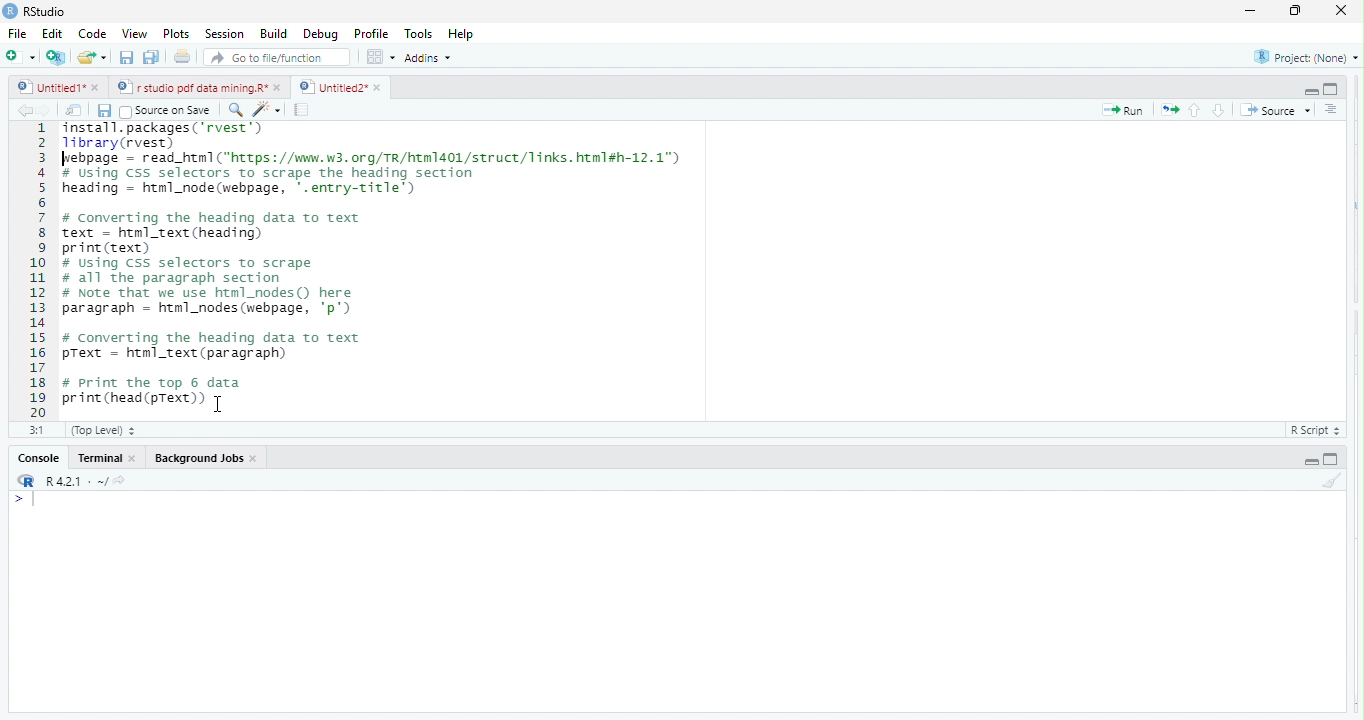  I want to click on  Untitied1", so click(47, 87).